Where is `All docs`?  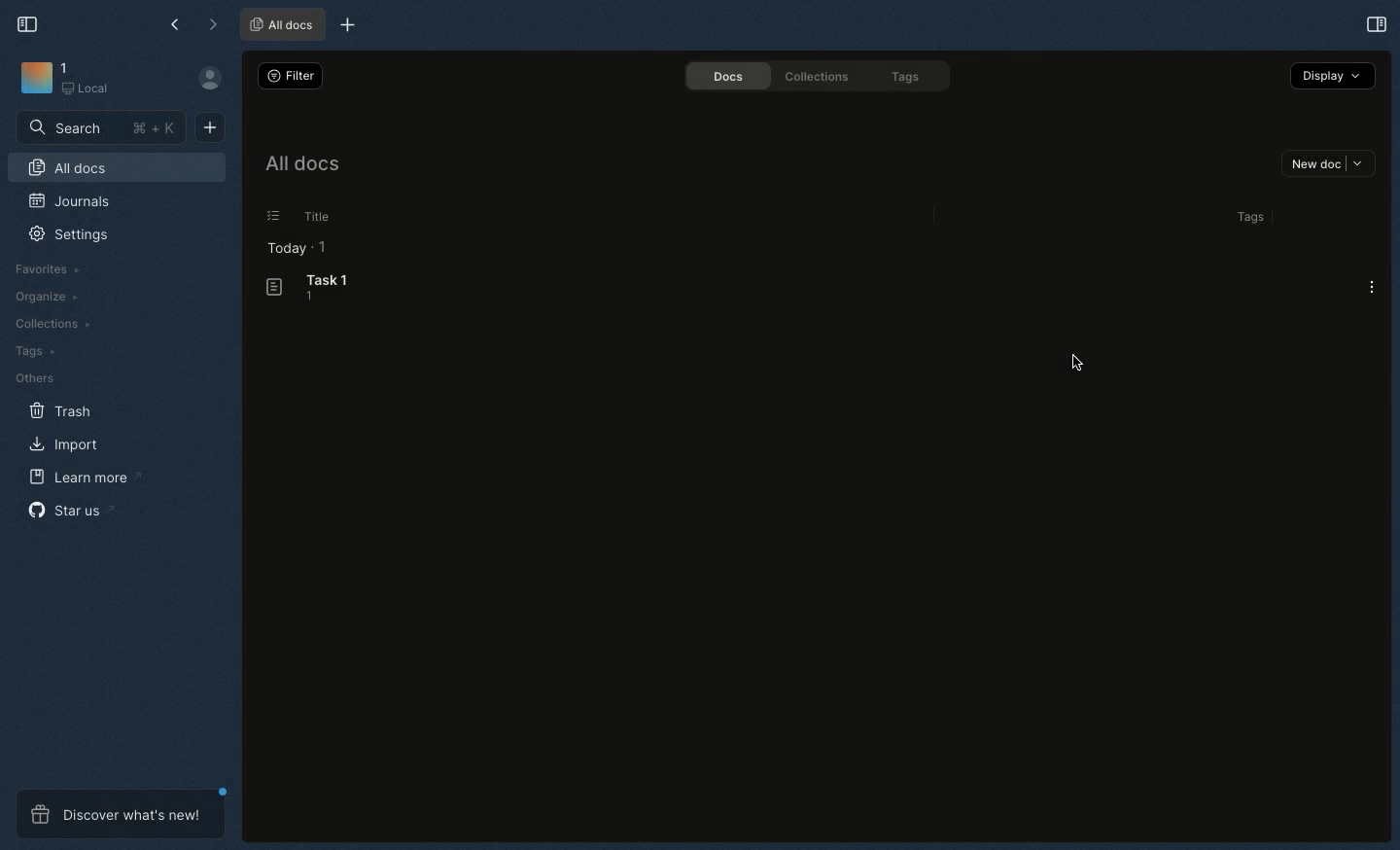
All docs is located at coordinates (68, 166).